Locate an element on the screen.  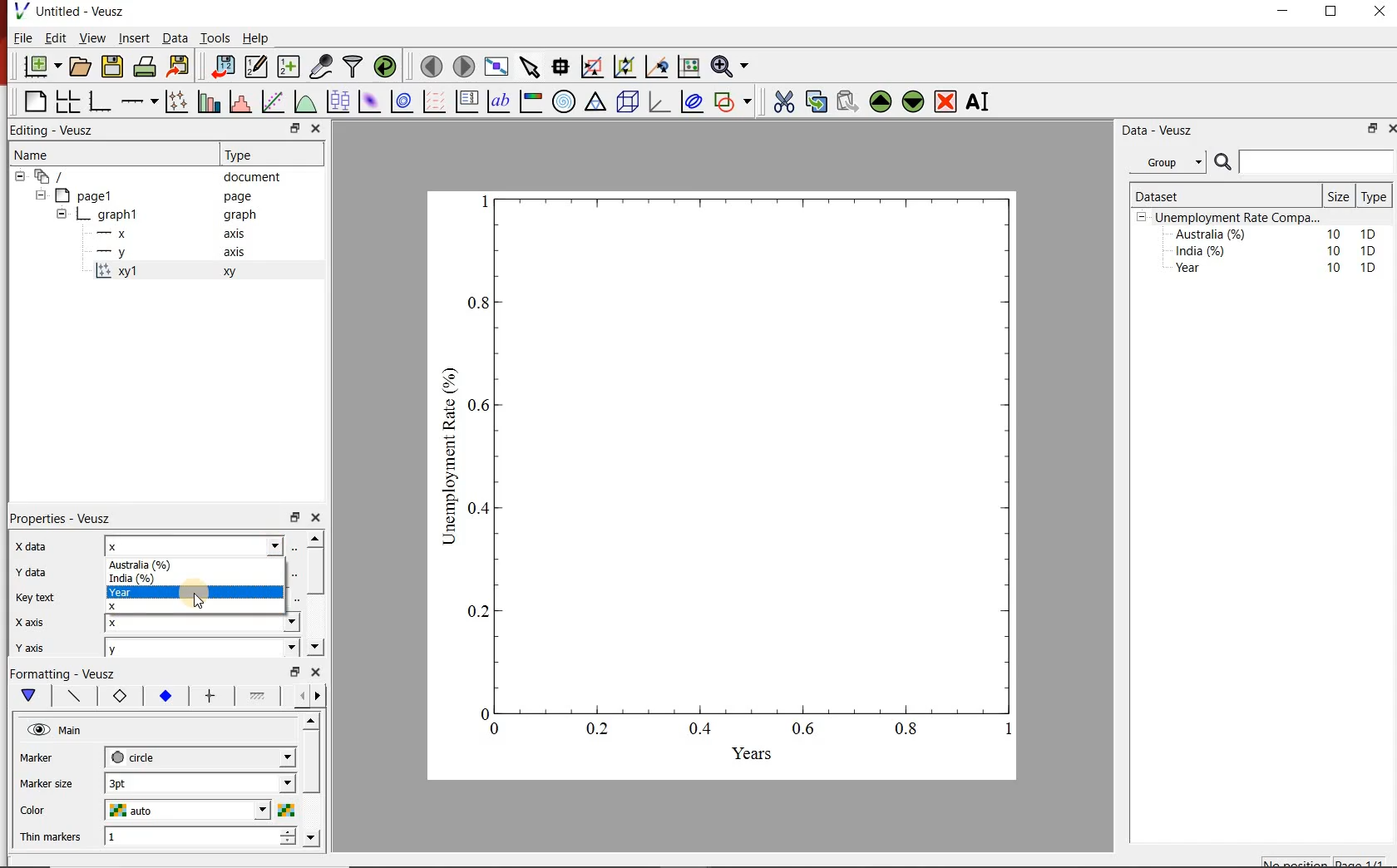
x data is located at coordinates (29, 547).